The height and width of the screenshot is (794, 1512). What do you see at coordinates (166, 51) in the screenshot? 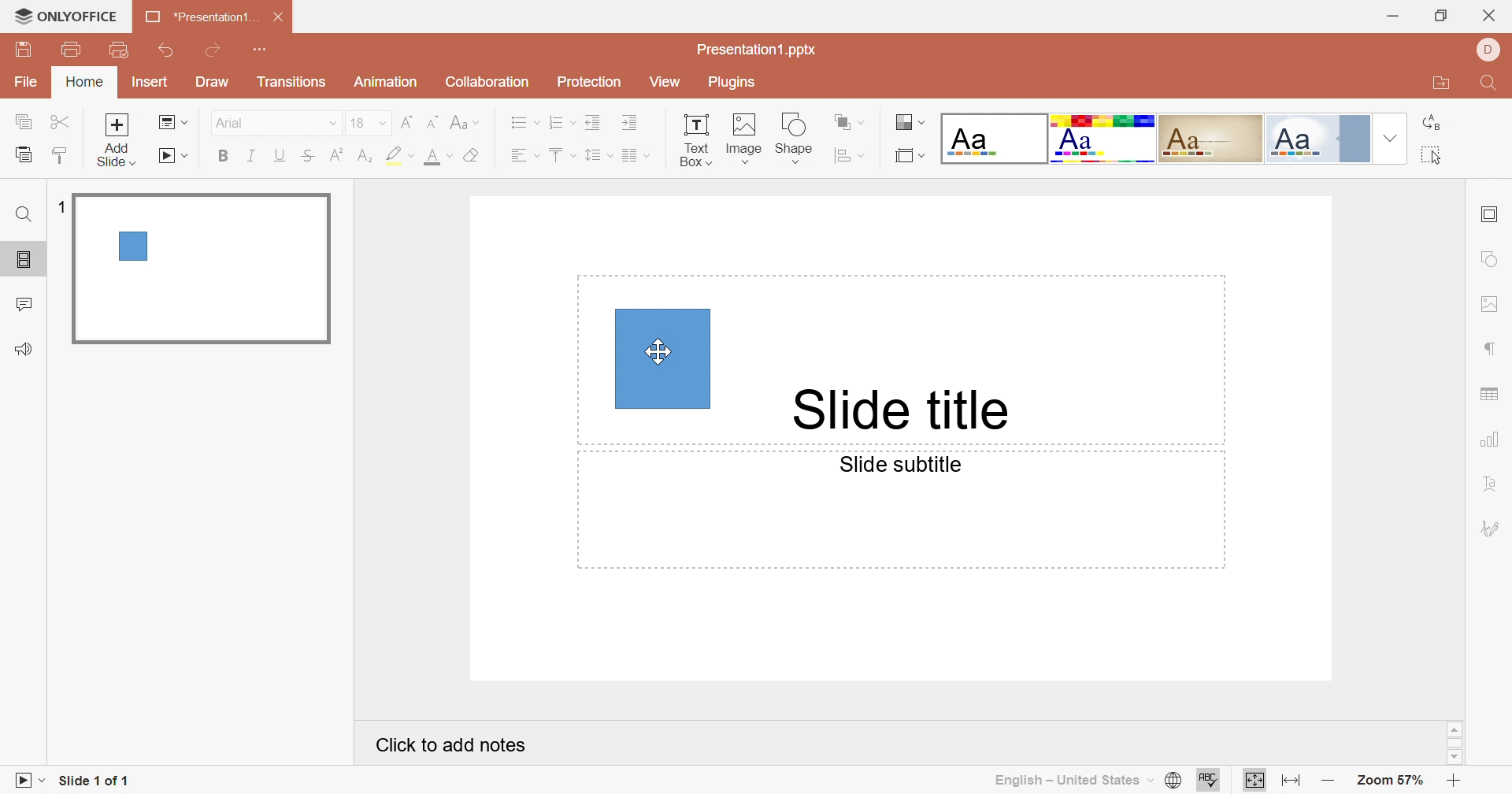
I see `Undo` at bounding box center [166, 51].